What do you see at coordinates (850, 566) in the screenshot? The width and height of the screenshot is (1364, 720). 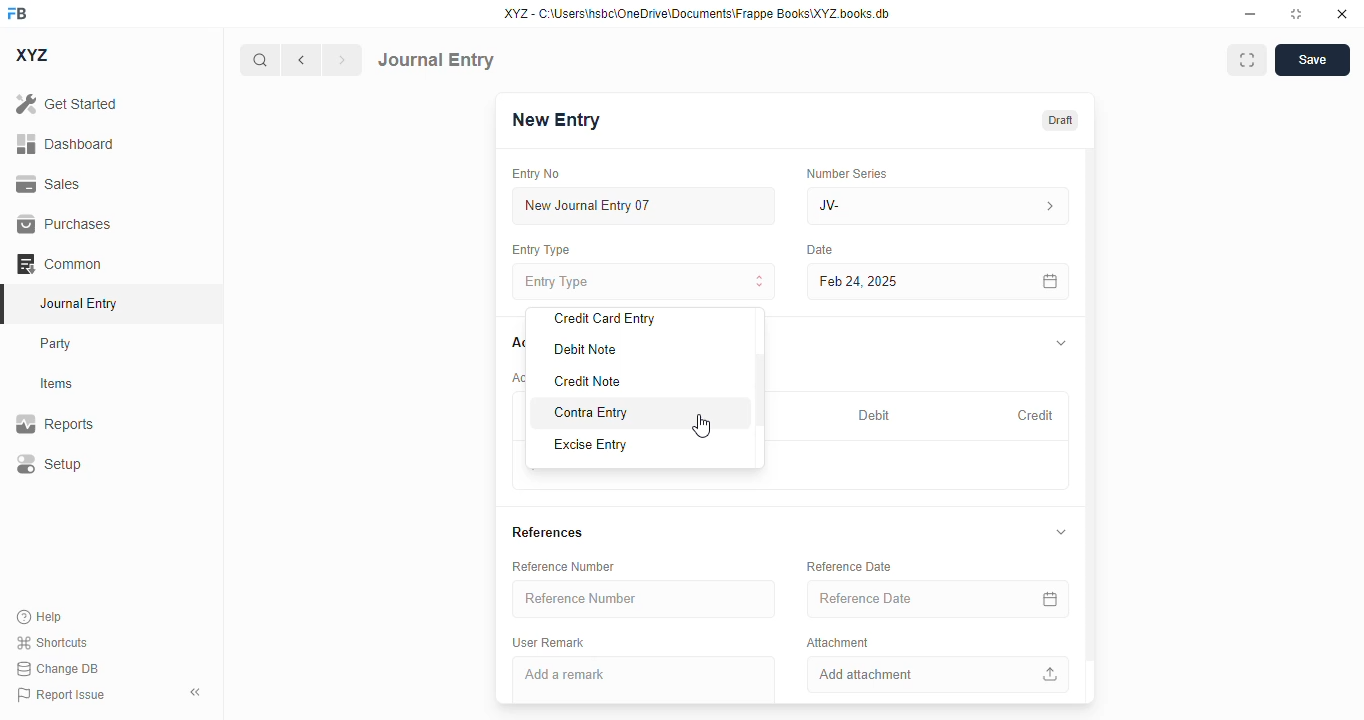 I see `reference date` at bounding box center [850, 566].